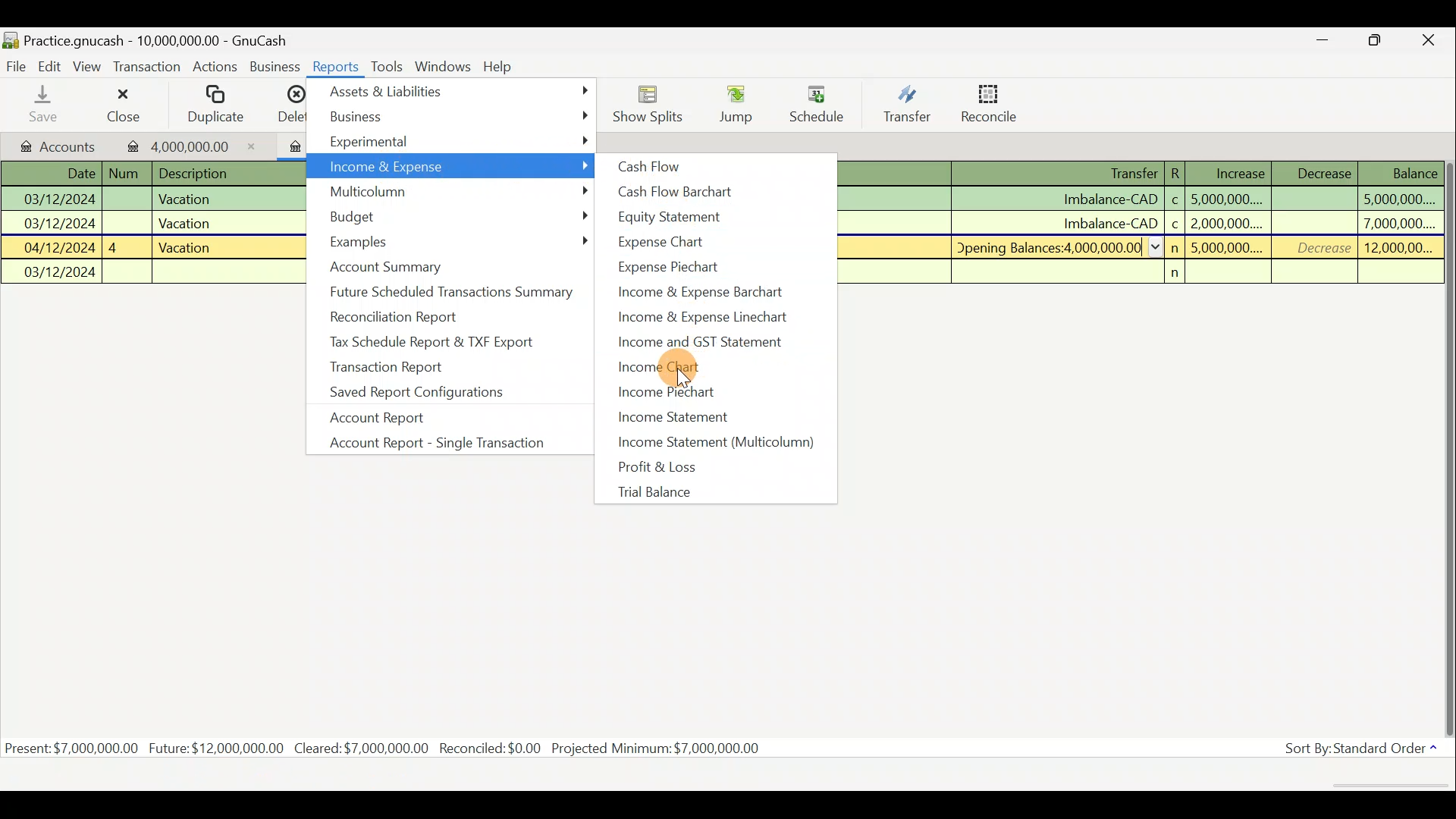  Describe the element at coordinates (996, 105) in the screenshot. I see `Reconcile` at that location.